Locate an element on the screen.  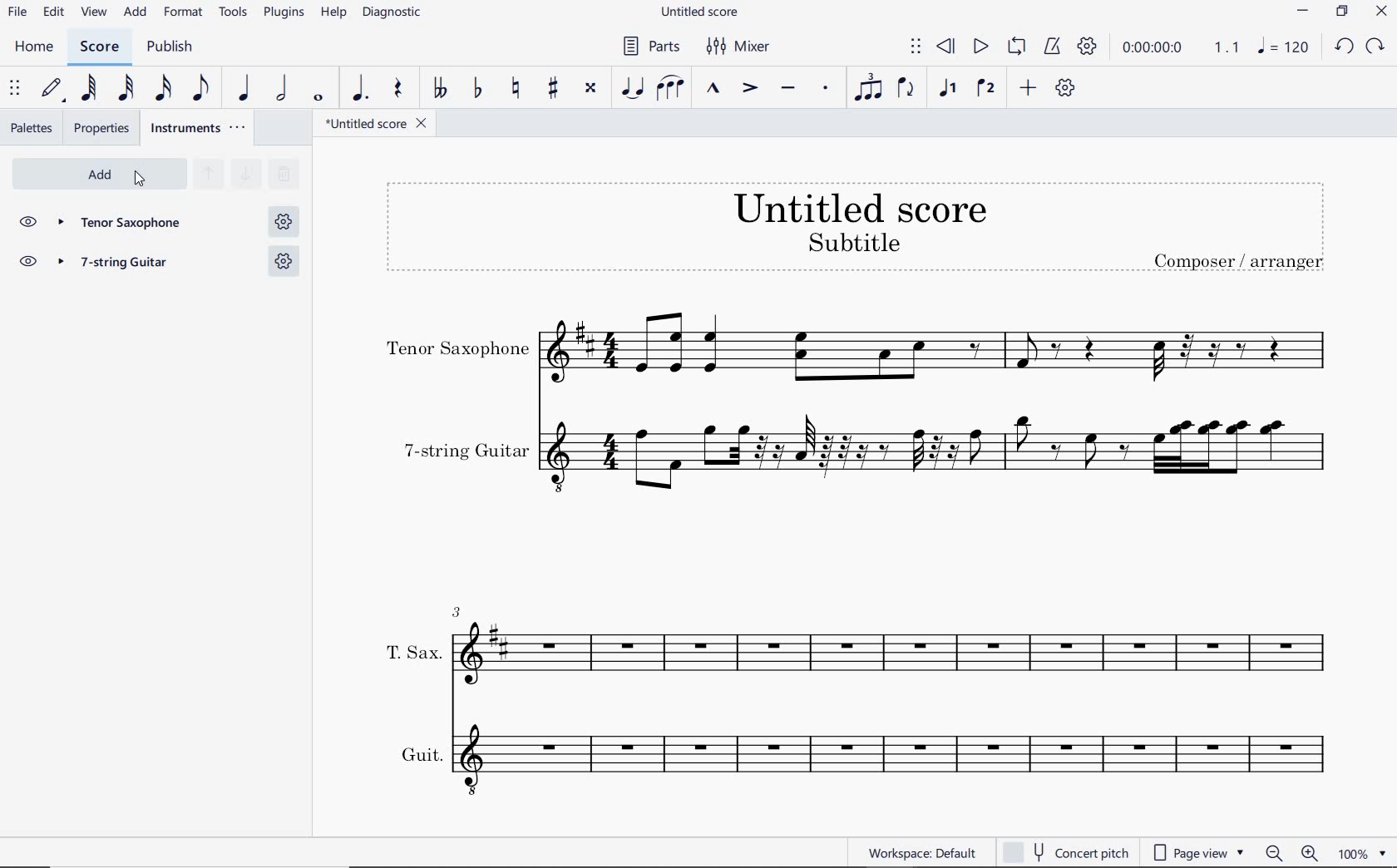
FILE NAME is located at coordinates (370, 126).